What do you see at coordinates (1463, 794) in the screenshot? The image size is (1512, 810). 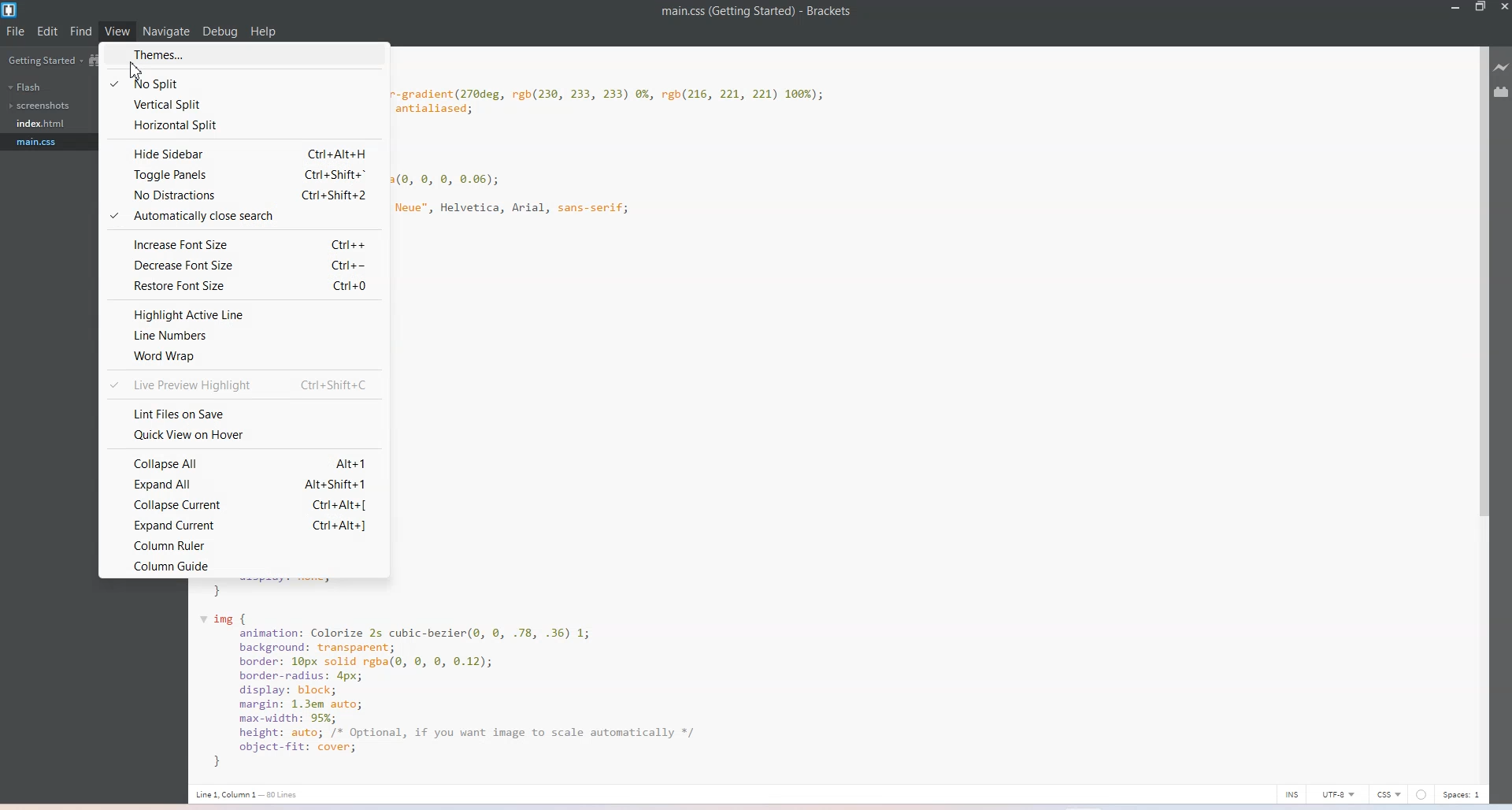 I see `Spaces 1` at bounding box center [1463, 794].